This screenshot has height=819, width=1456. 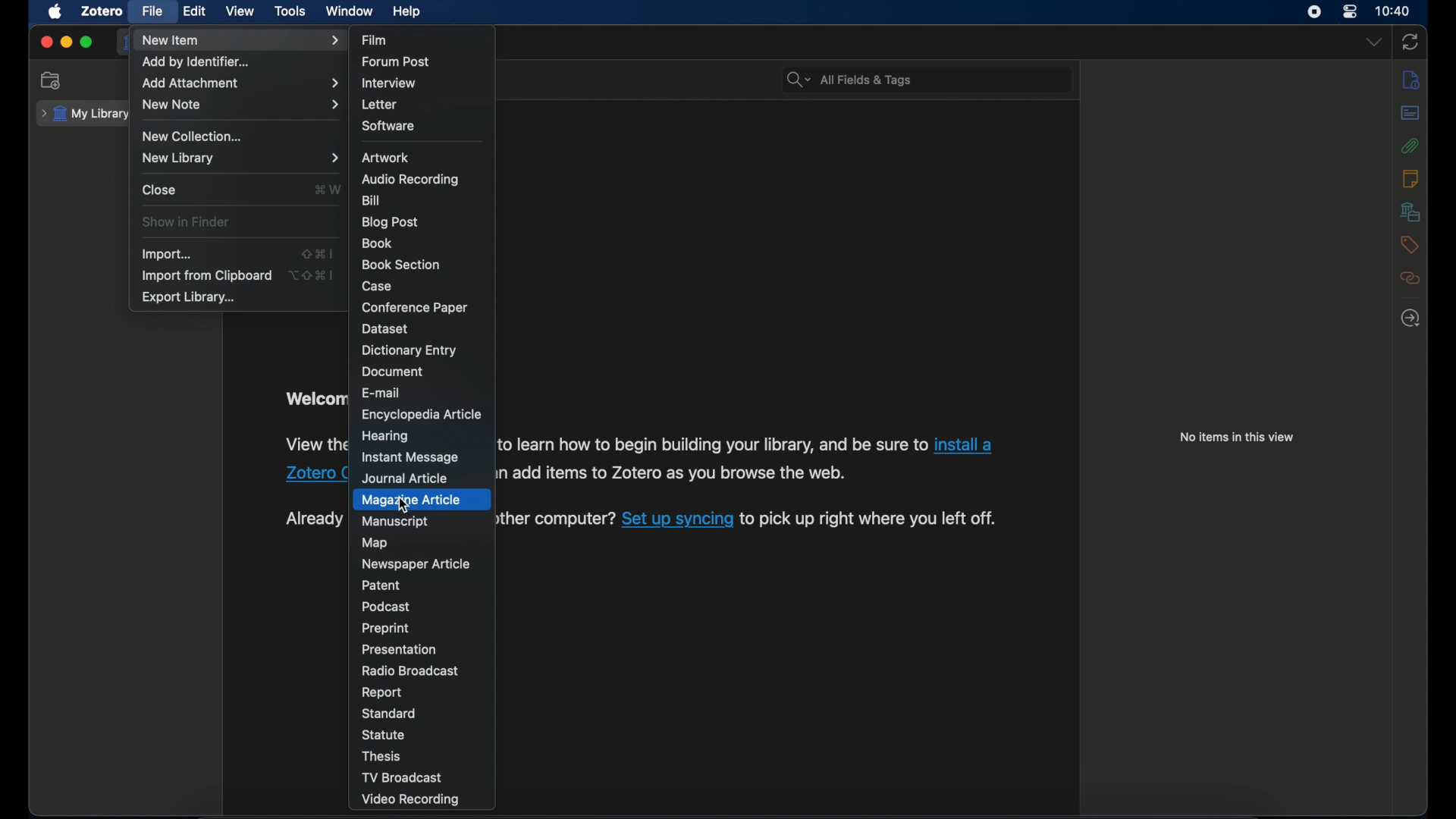 What do you see at coordinates (384, 328) in the screenshot?
I see `dataset` at bounding box center [384, 328].